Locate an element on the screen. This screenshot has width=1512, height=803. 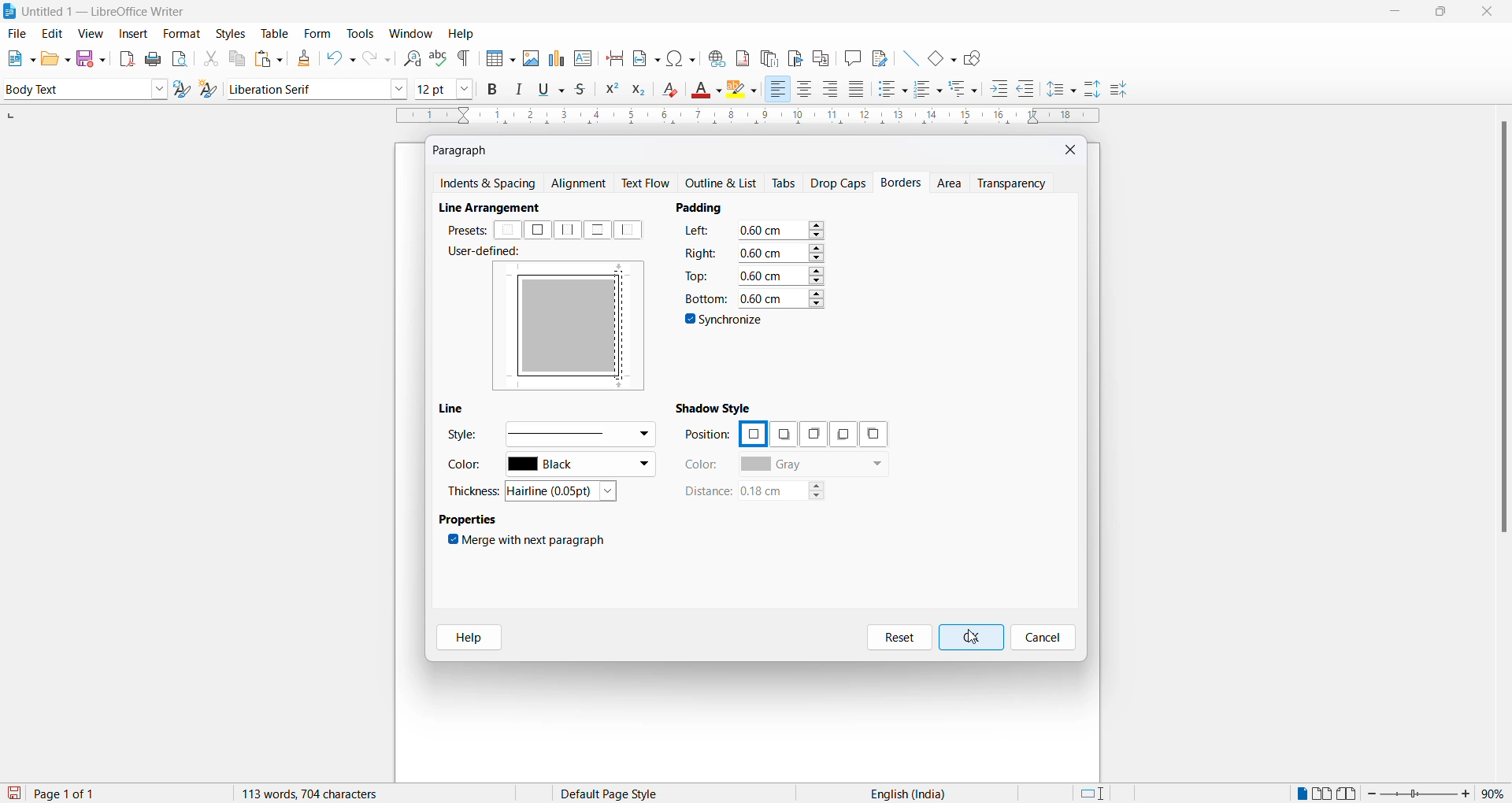
none is located at coordinates (509, 231).